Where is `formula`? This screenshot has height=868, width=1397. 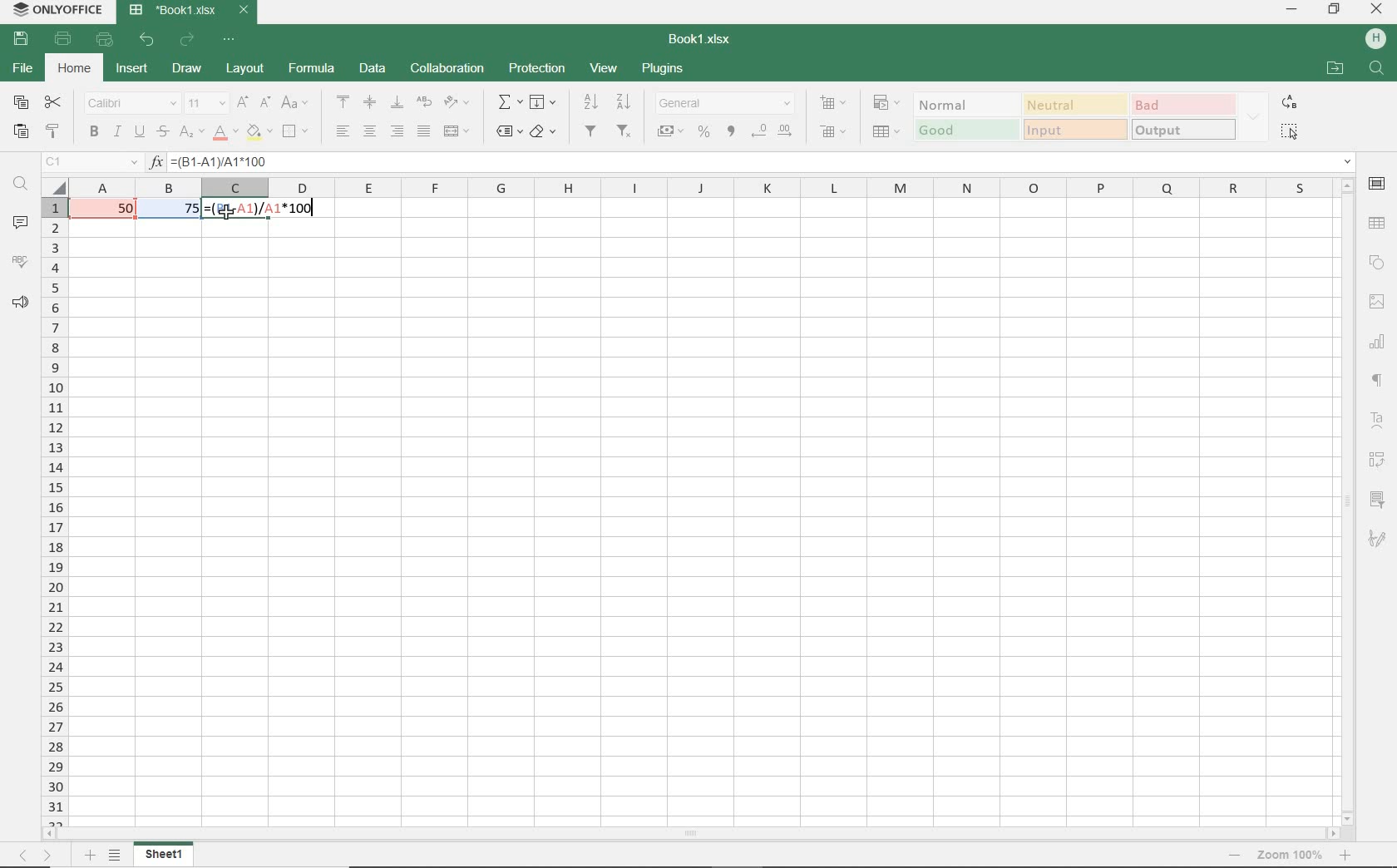 formula is located at coordinates (312, 68).